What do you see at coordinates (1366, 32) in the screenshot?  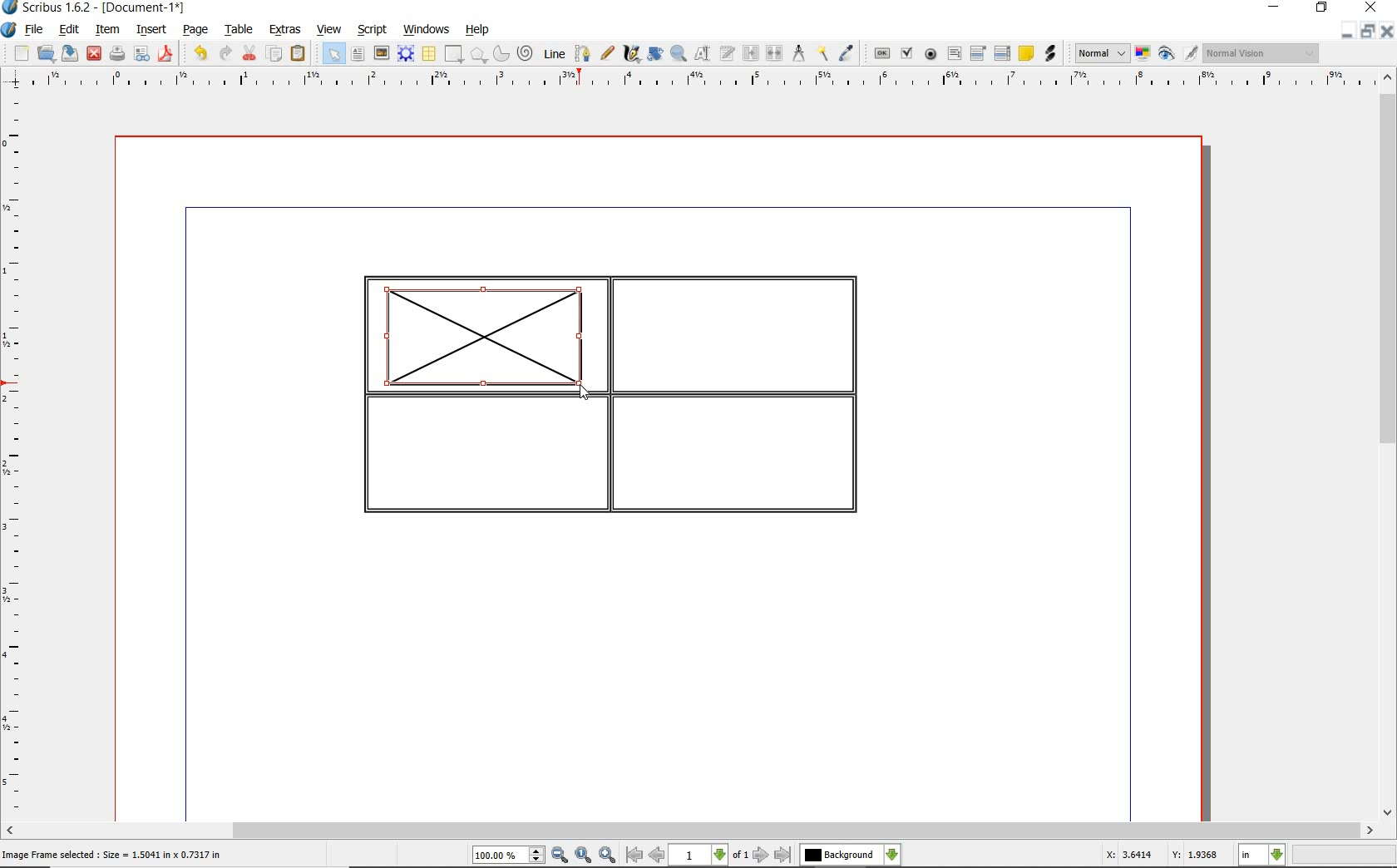 I see `restore` at bounding box center [1366, 32].